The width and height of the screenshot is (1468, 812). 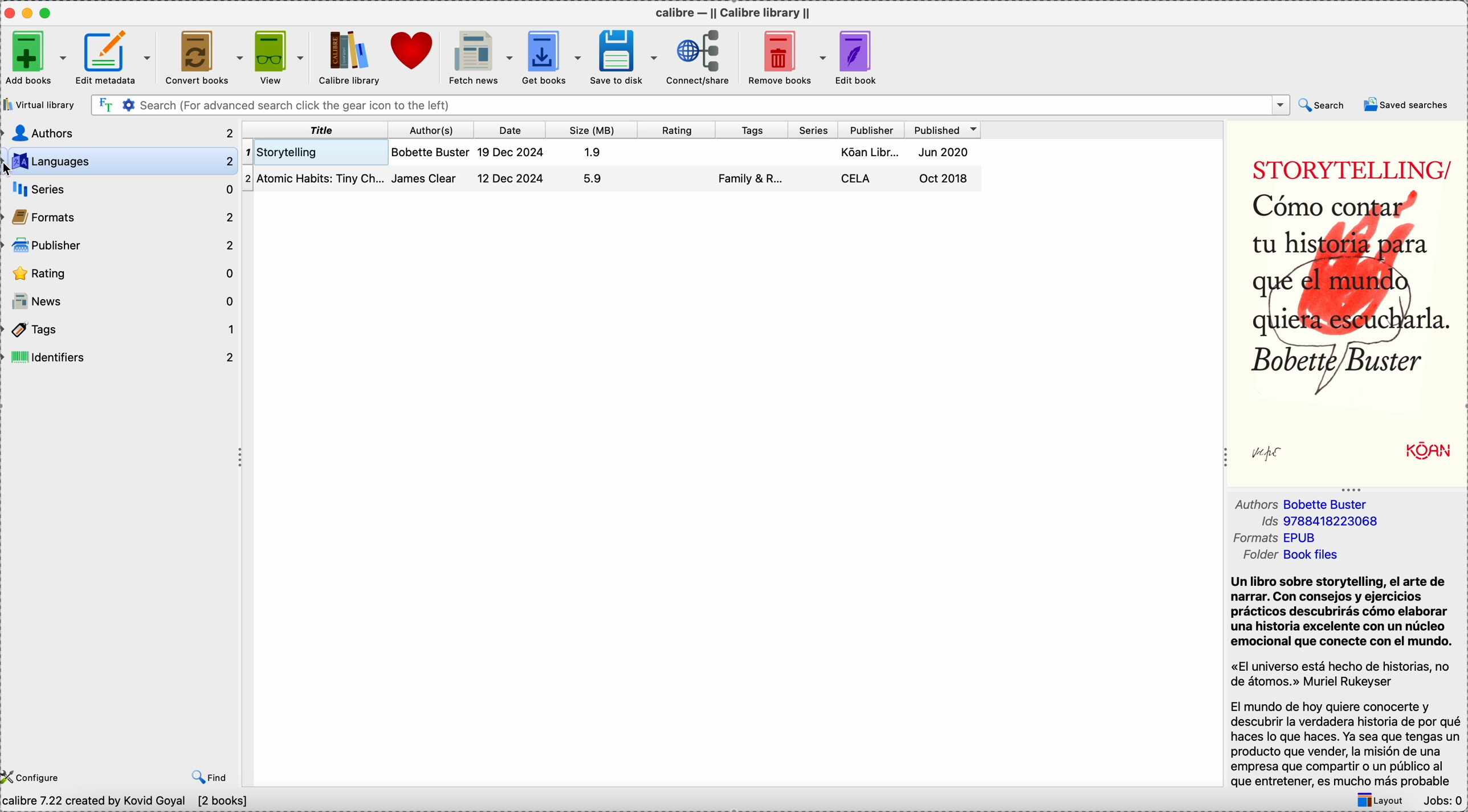 What do you see at coordinates (200, 58) in the screenshot?
I see `convert books` at bounding box center [200, 58].